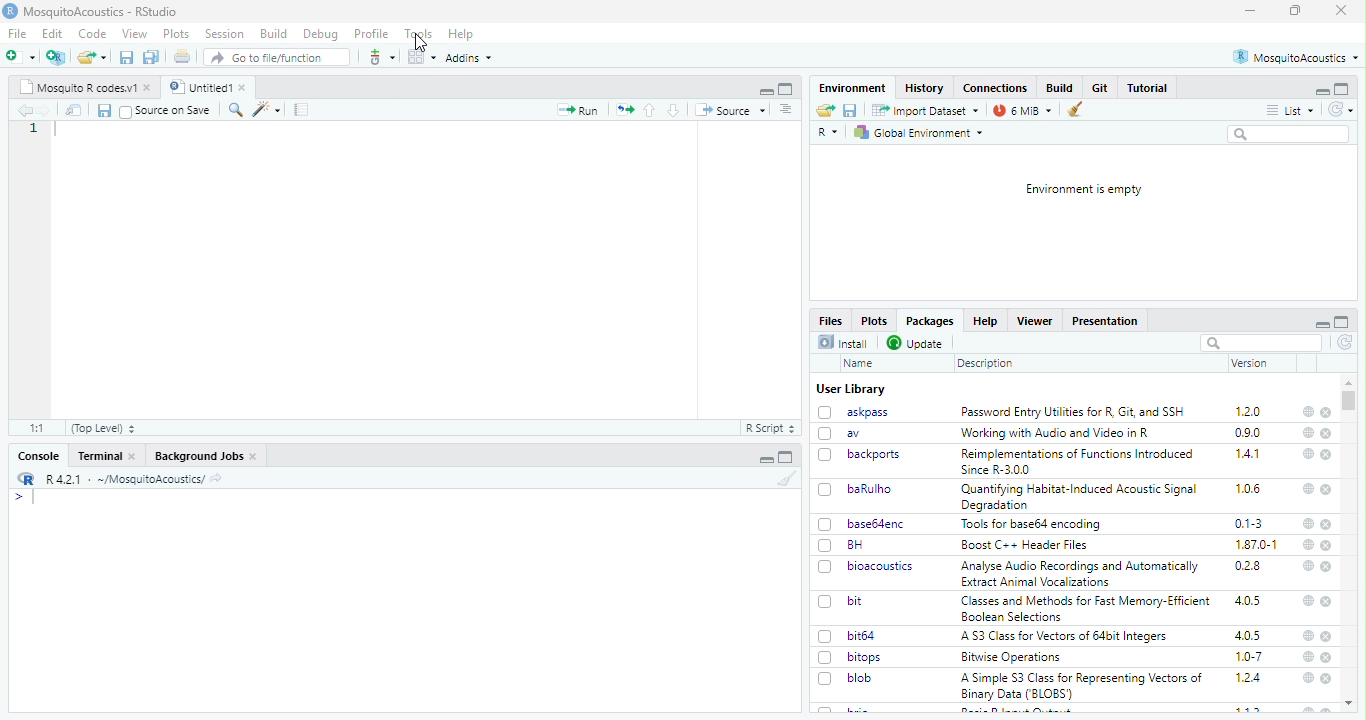  Describe the element at coordinates (1248, 489) in the screenshot. I see `106` at that location.